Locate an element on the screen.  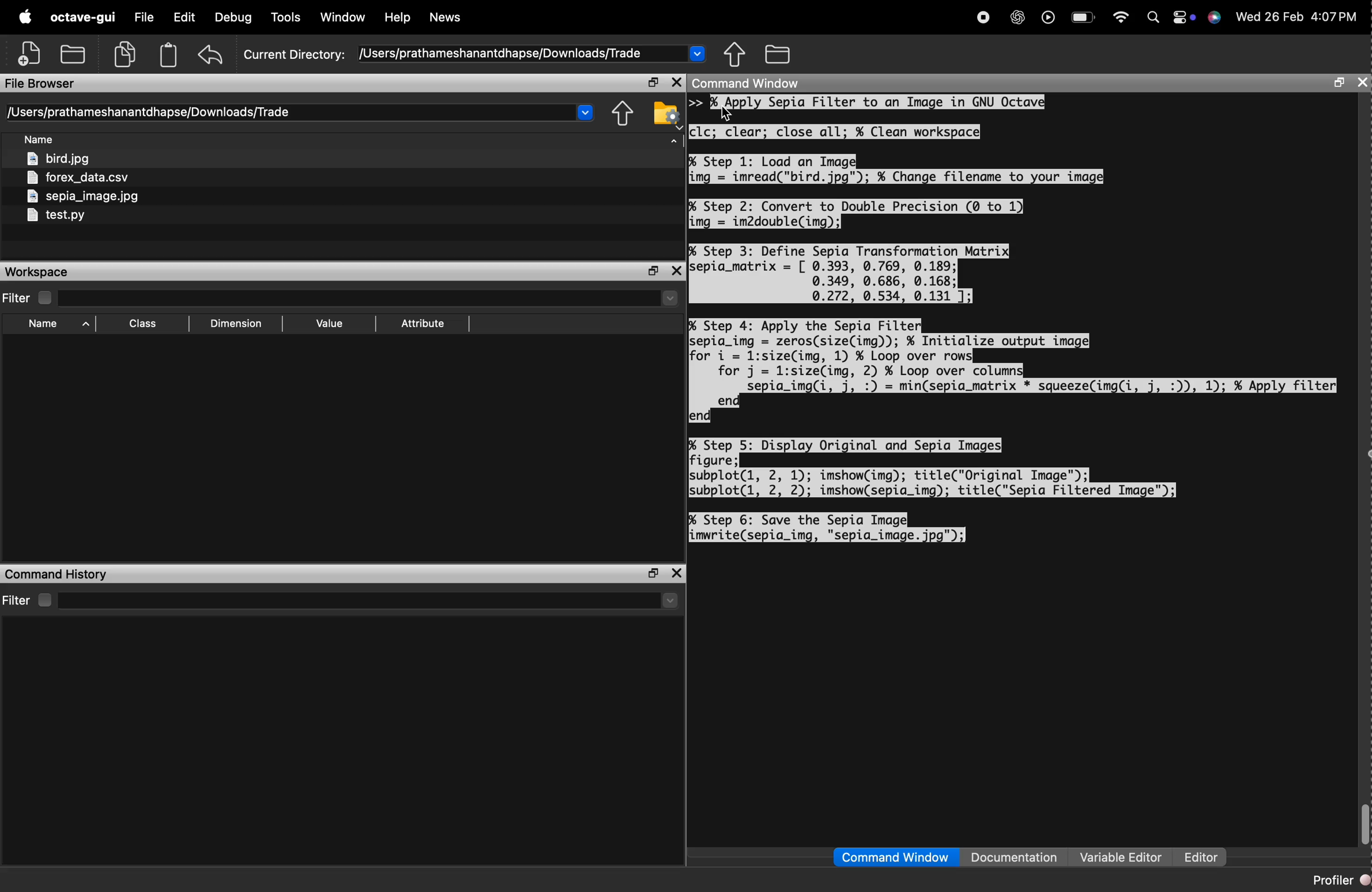
Help is located at coordinates (398, 17).